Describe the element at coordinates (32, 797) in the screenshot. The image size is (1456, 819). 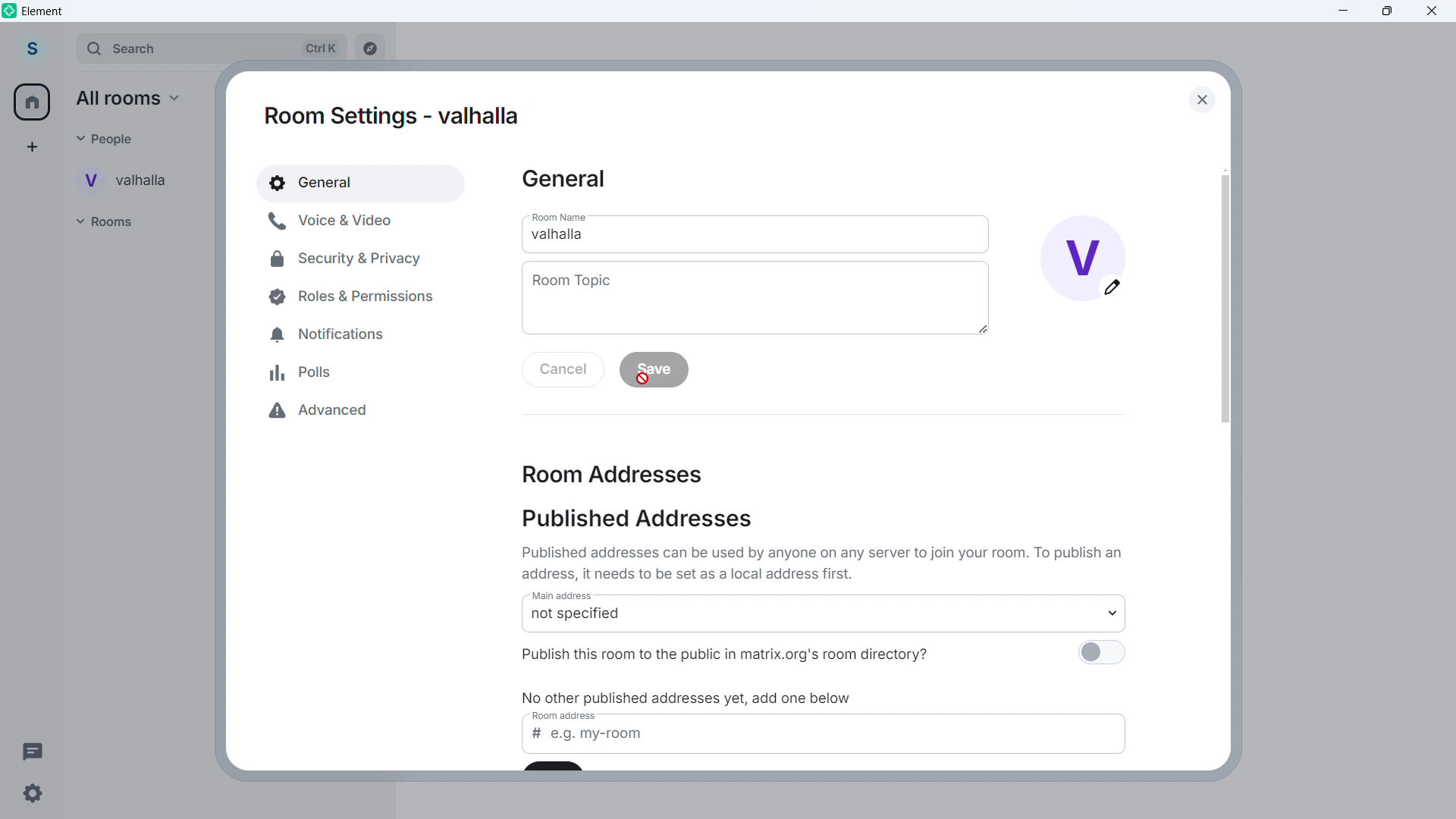
I see `Settings ` at that location.